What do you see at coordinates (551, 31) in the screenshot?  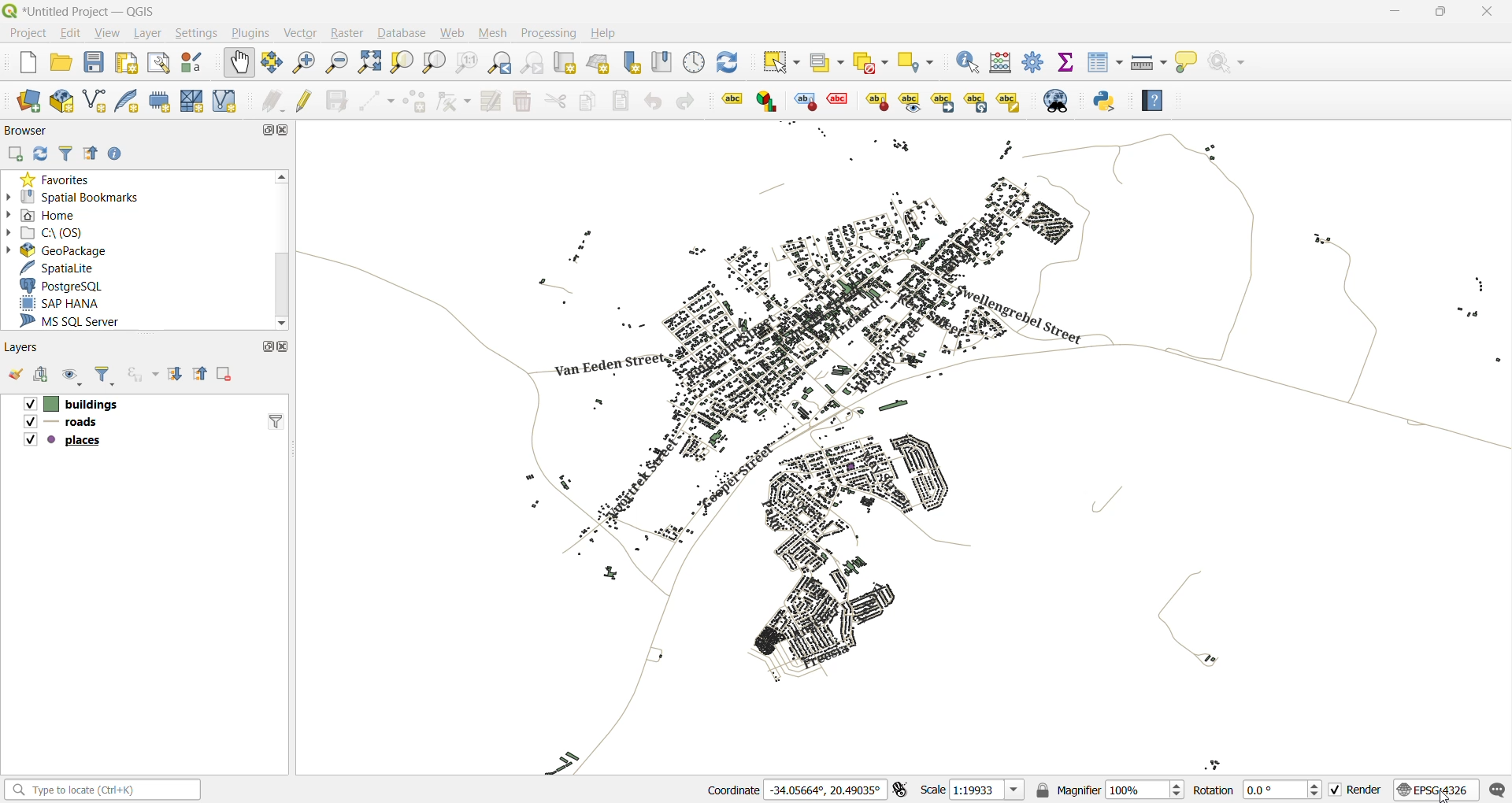 I see `processing` at bounding box center [551, 31].